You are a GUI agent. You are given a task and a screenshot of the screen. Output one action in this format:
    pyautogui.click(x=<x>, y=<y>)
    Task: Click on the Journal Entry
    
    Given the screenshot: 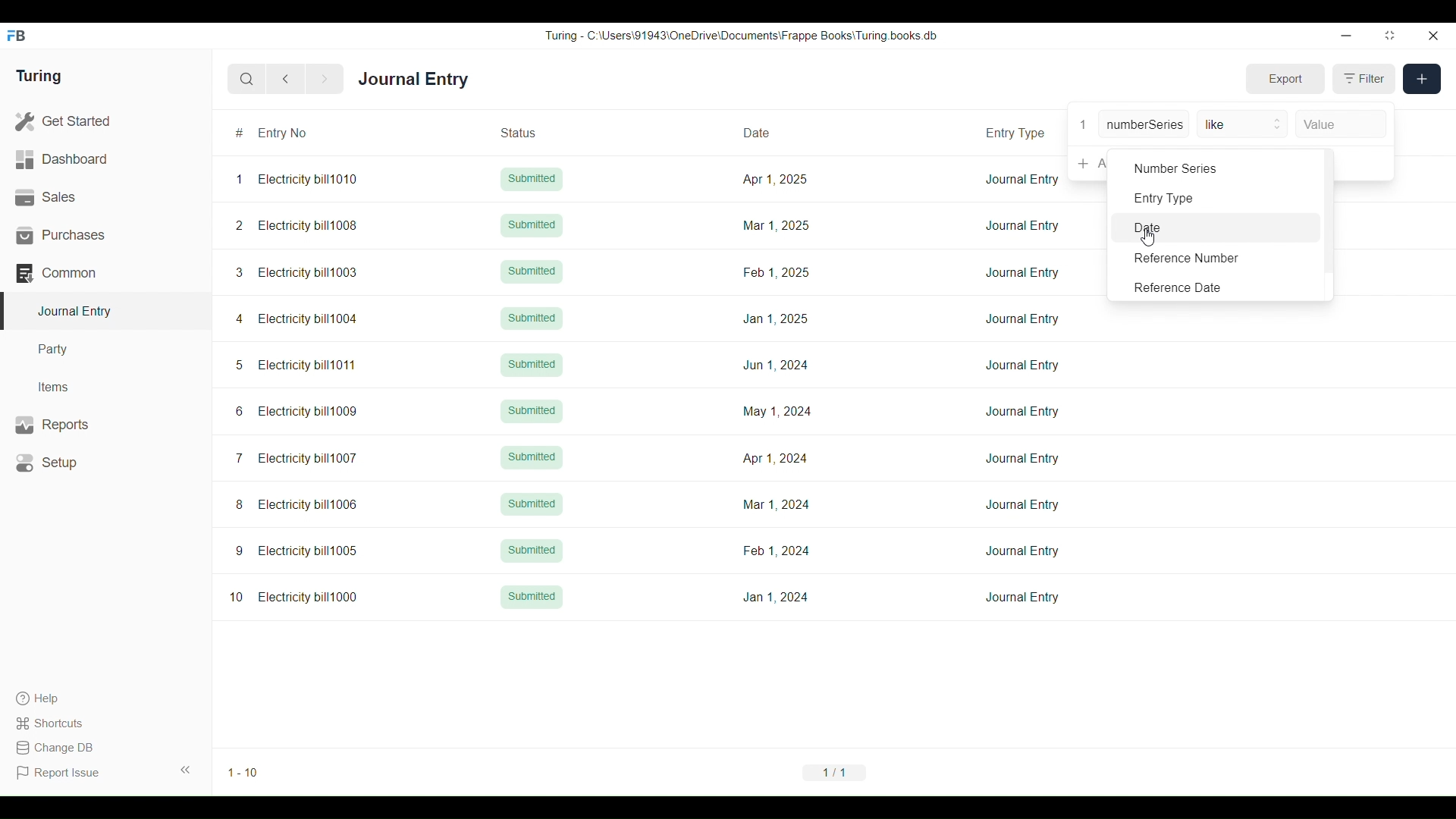 What is the action you would take?
    pyautogui.click(x=1023, y=412)
    